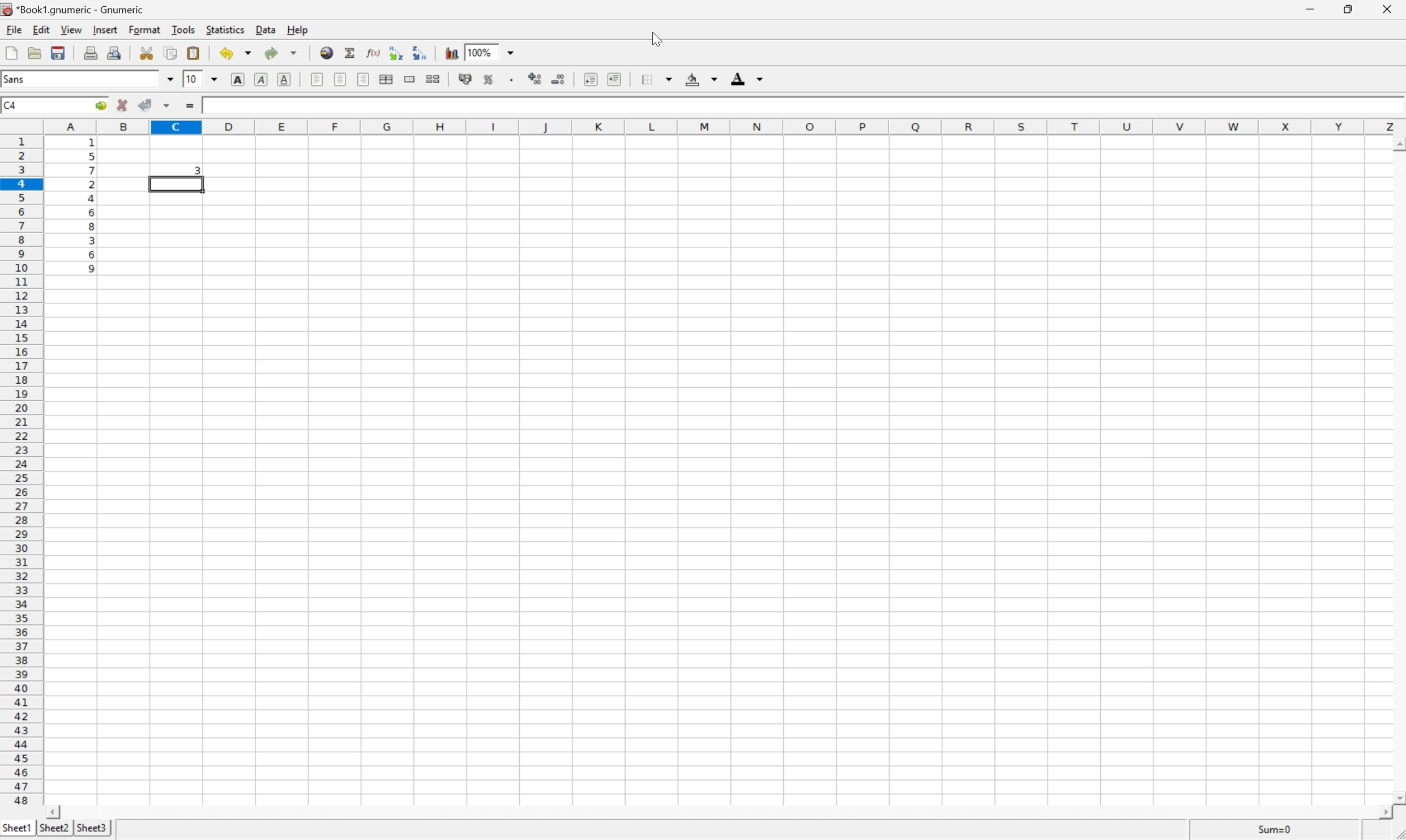 The height and width of the screenshot is (840, 1406). What do you see at coordinates (226, 29) in the screenshot?
I see `statistics` at bounding box center [226, 29].